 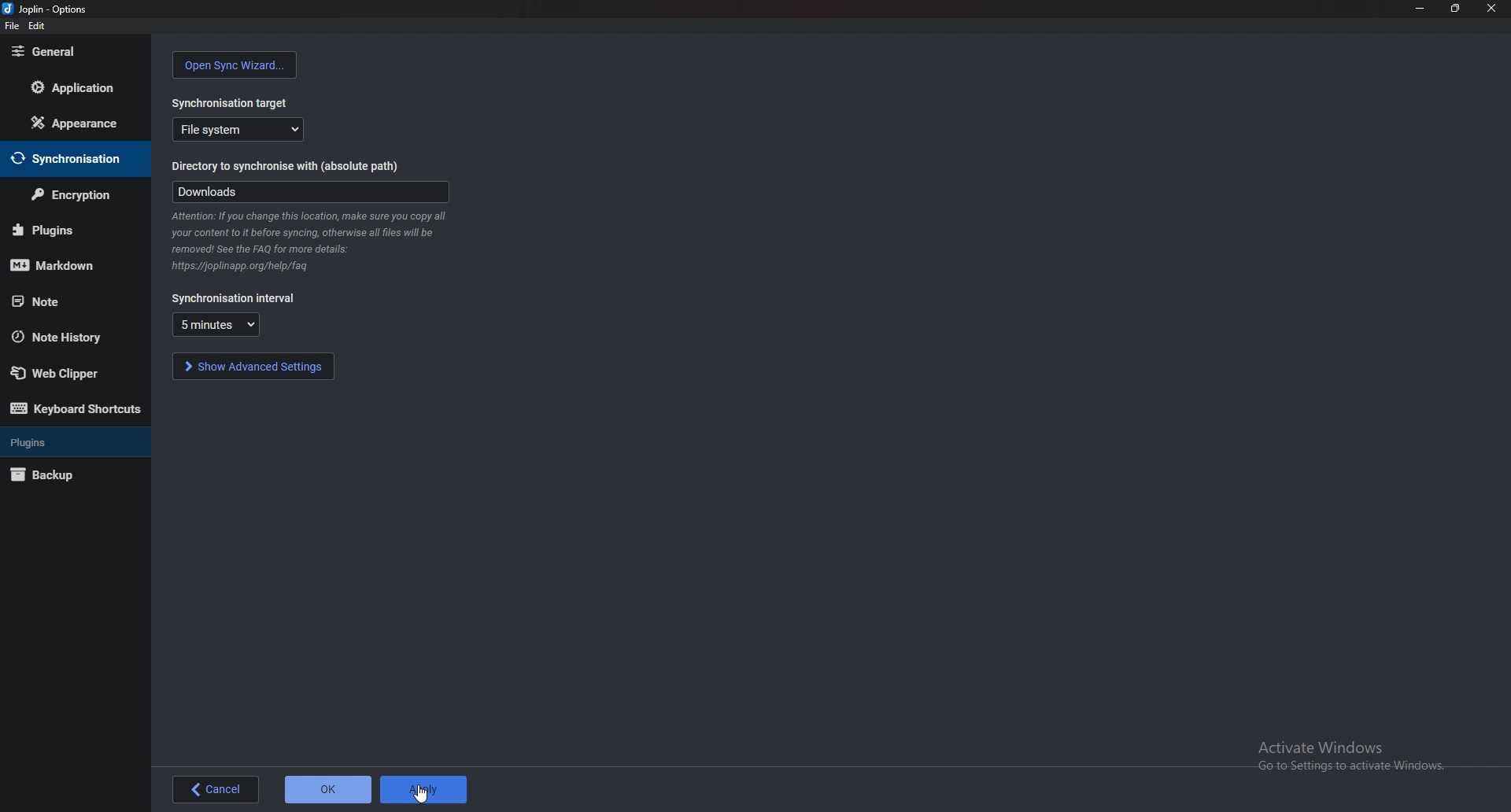 What do you see at coordinates (71, 196) in the screenshot?
I see `Encryption` at bounding box center [71, 196].